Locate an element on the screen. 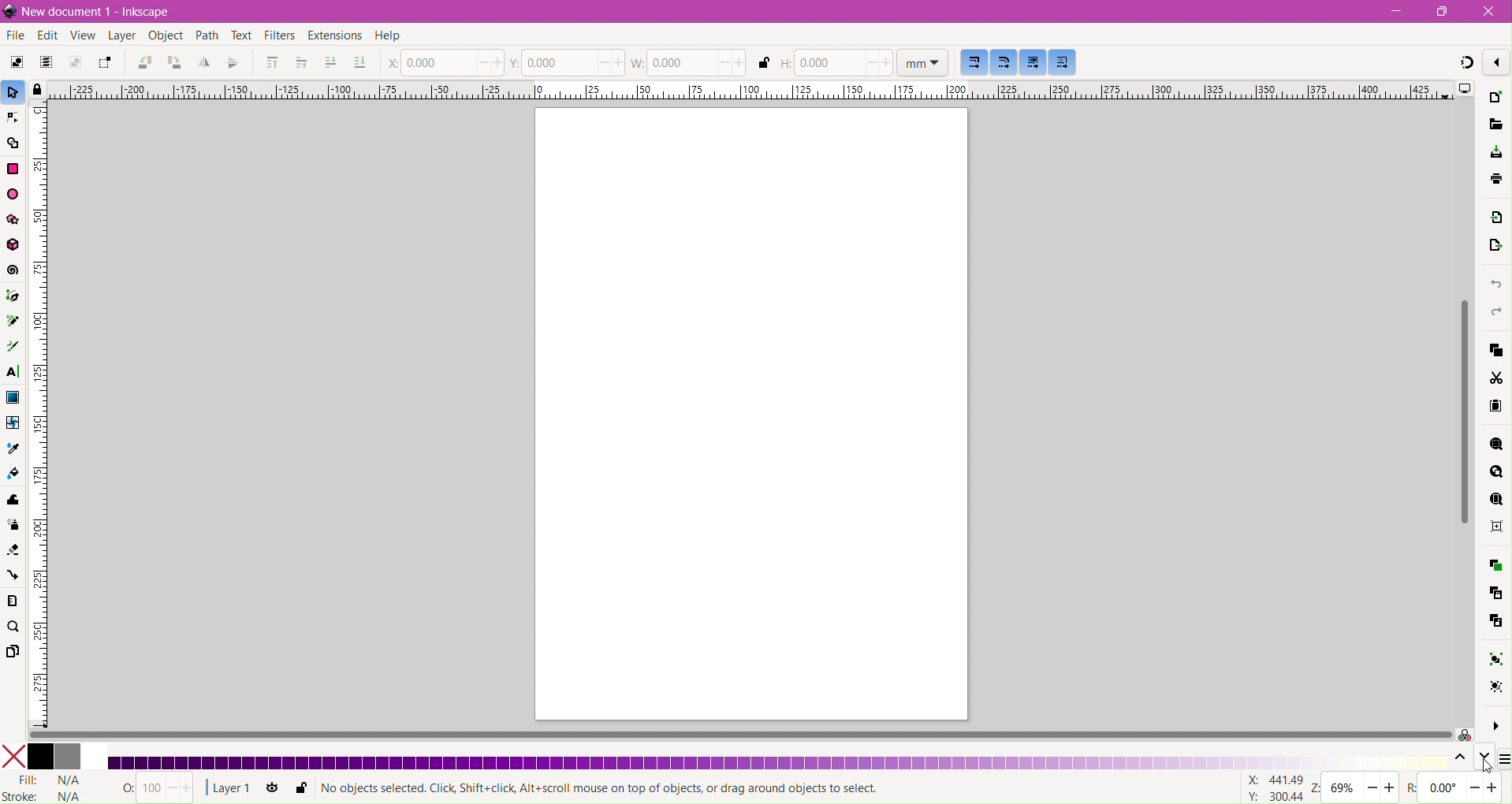 The image size is (1512, 804). File is located at coordinates (13, 36).